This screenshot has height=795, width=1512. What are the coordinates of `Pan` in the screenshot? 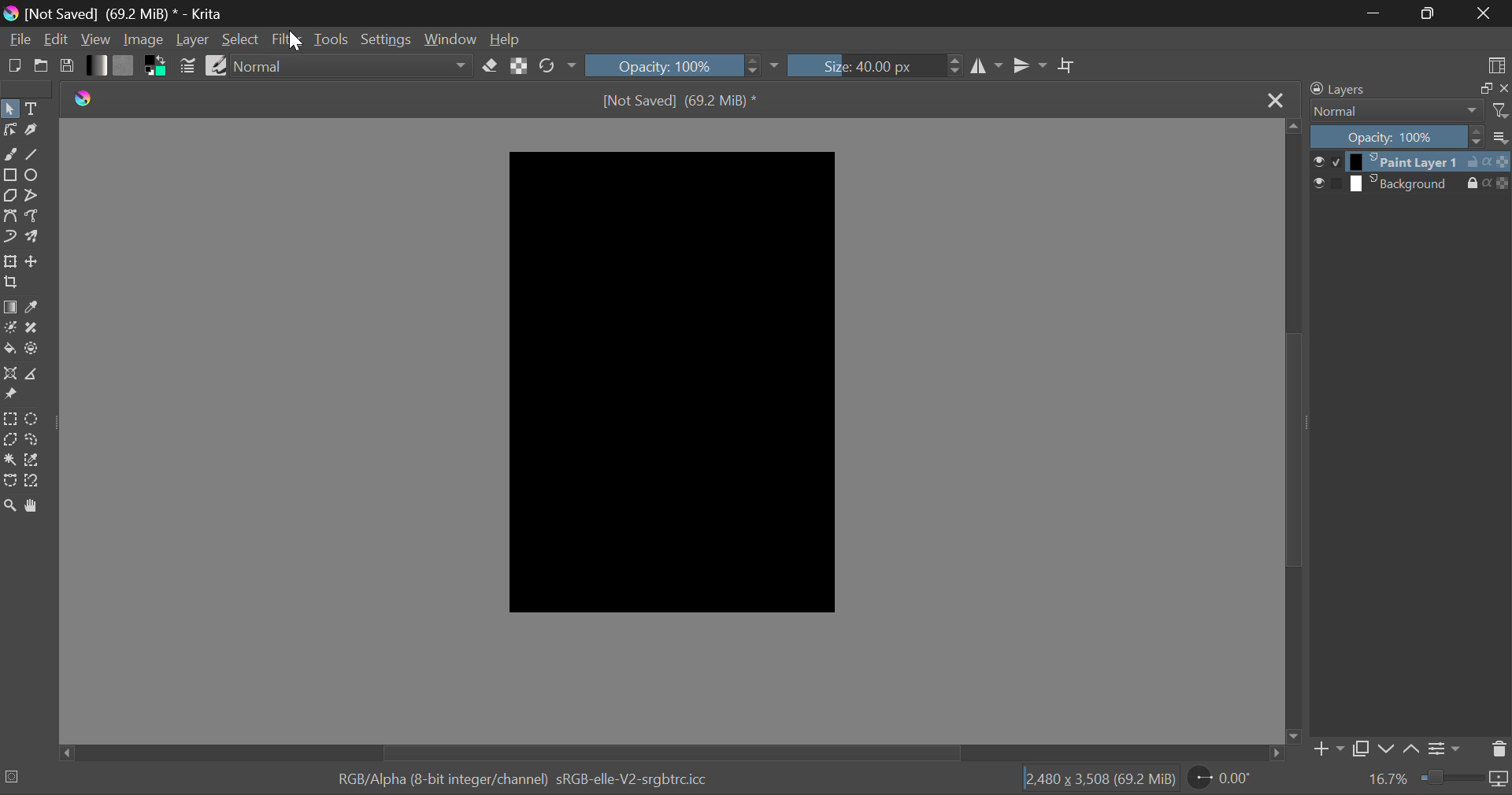 It's located at (36, 506).